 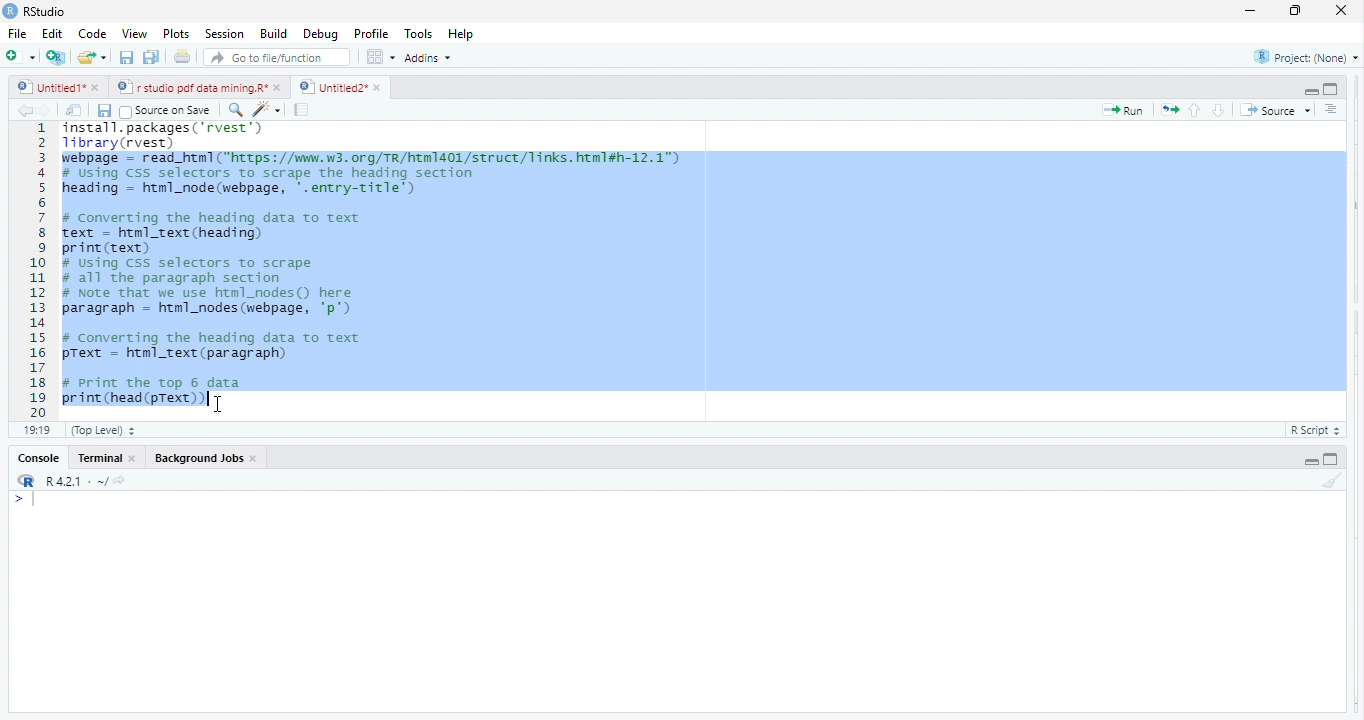 What do you see at coordinates (194, 88) in the screenshot?
I see `© | r studio pdf data mining.R` at bounding box center [194, 88].